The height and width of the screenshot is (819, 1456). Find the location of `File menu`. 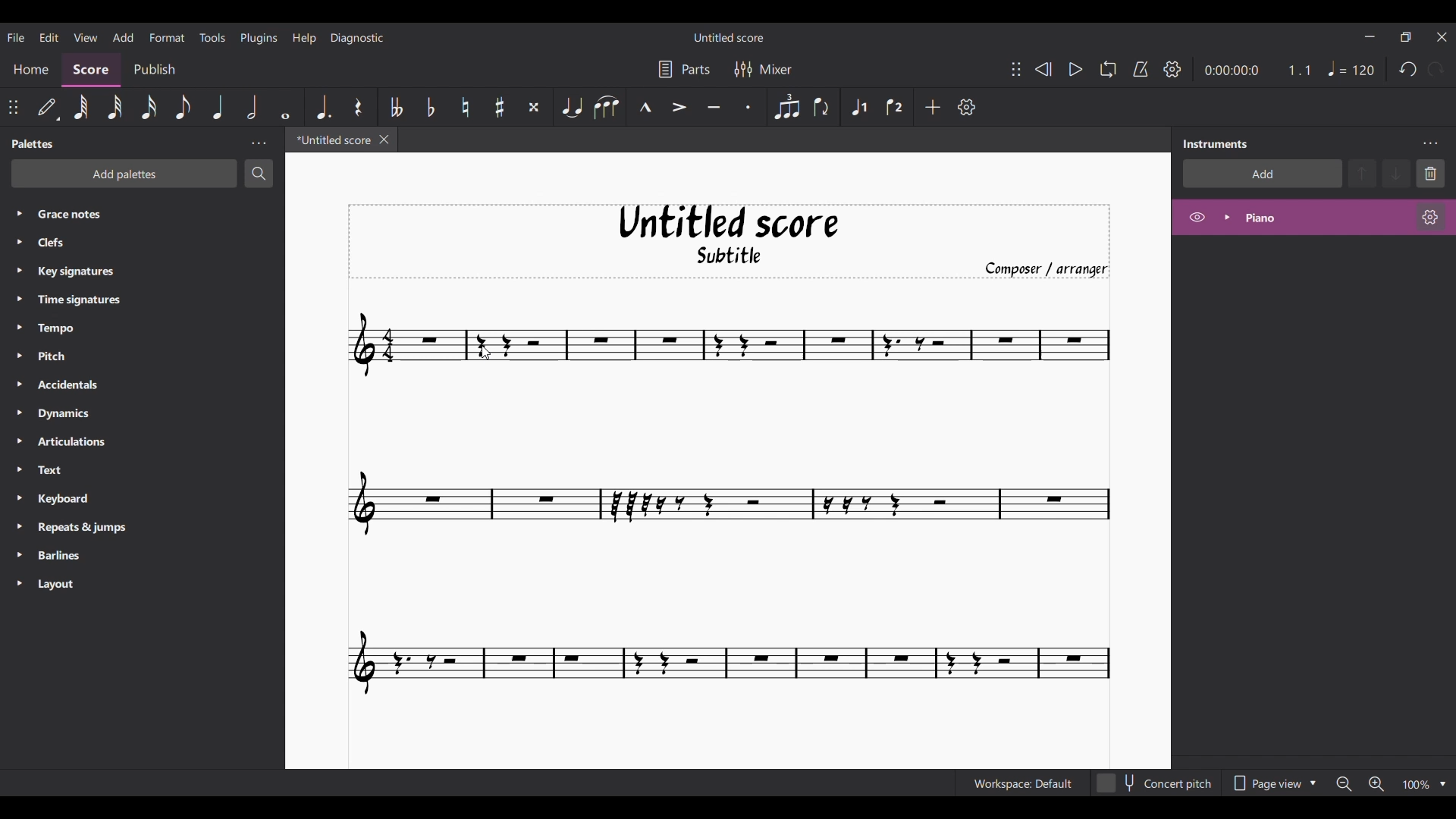

File menu is located at coordinates (16, 37).